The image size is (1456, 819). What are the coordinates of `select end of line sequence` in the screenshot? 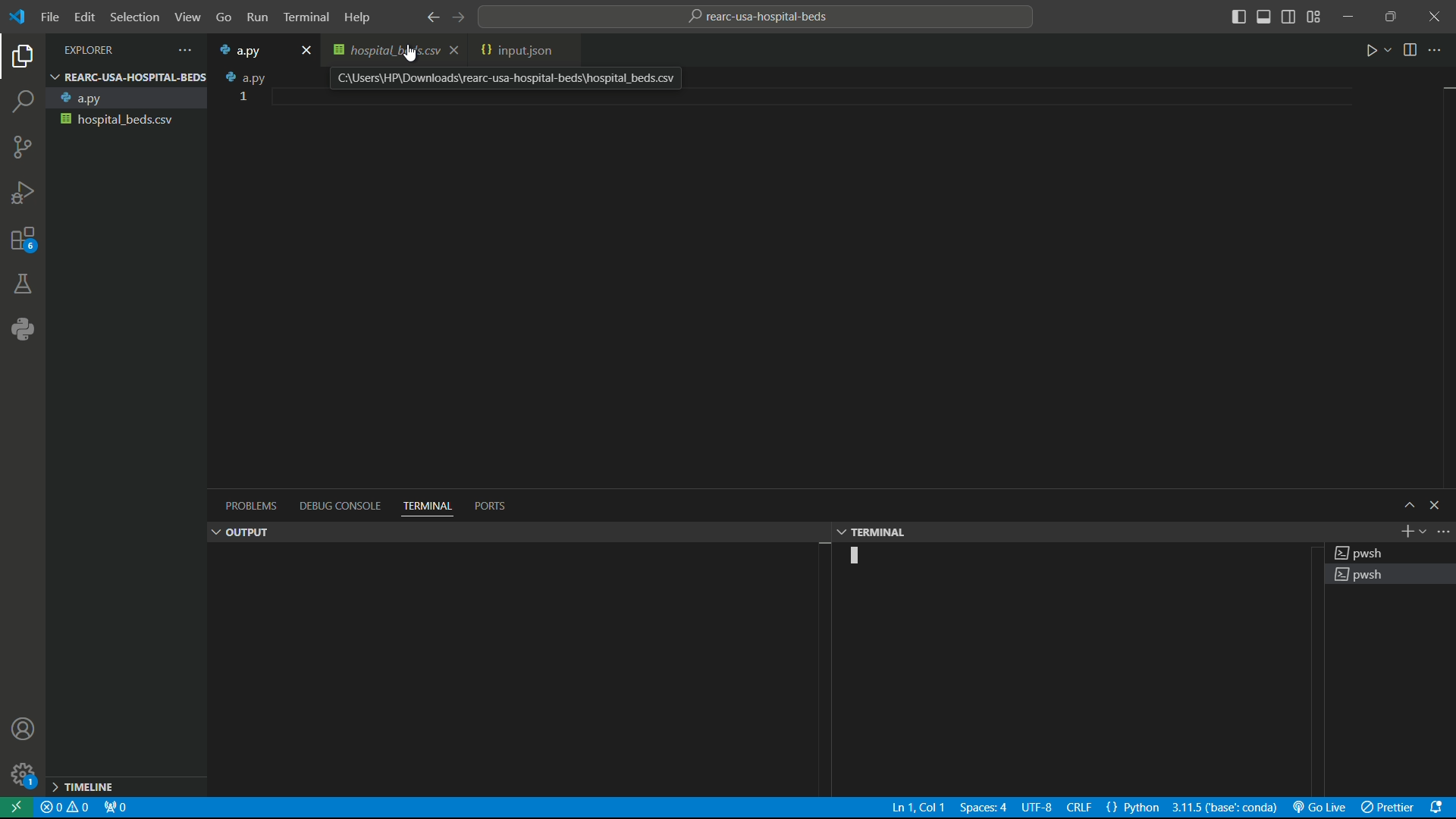 It's located at (1079, 809).